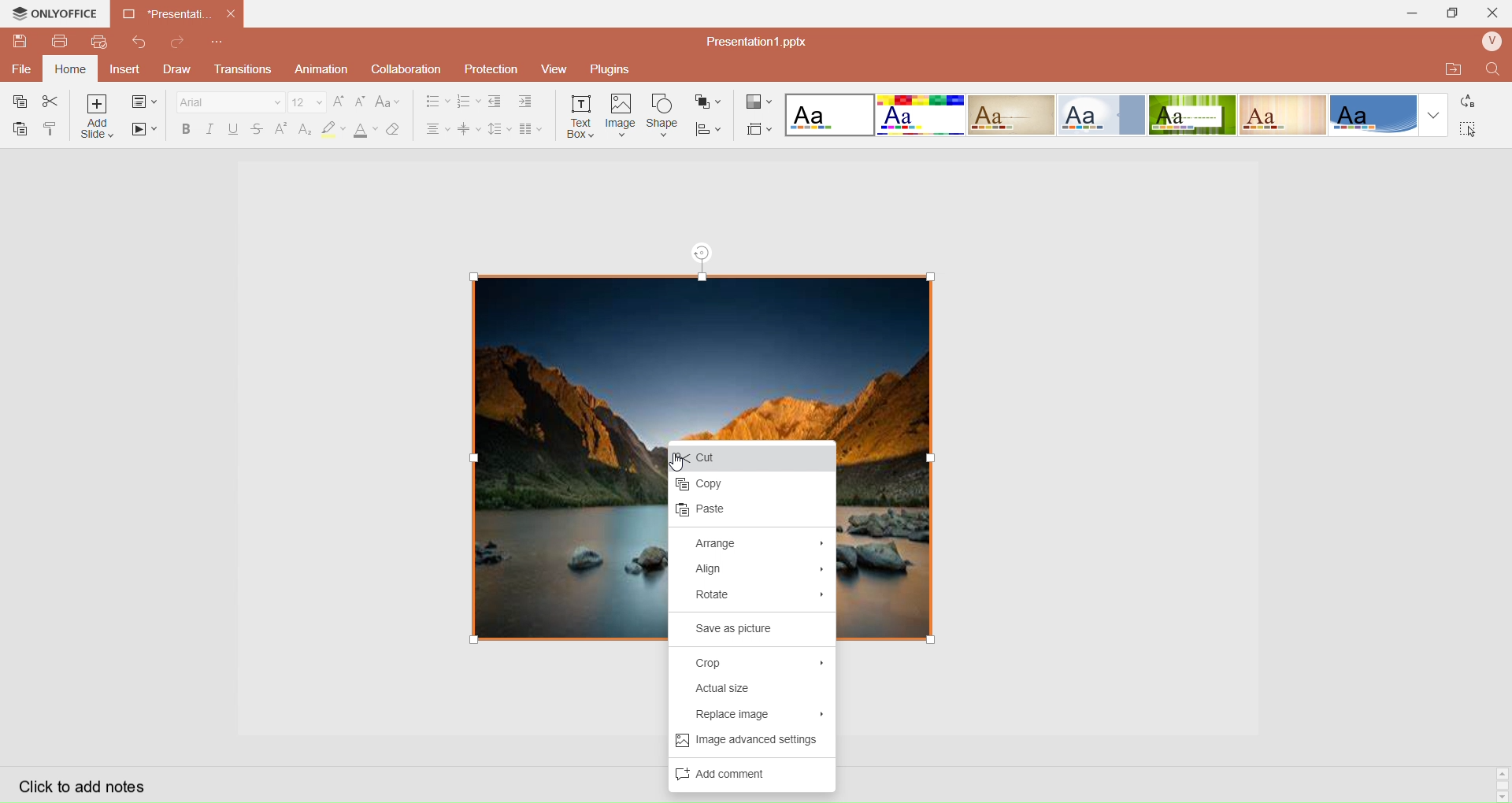 The image size is (1512, 803). I want to click on Decrease Font Size, so click(361, 102).